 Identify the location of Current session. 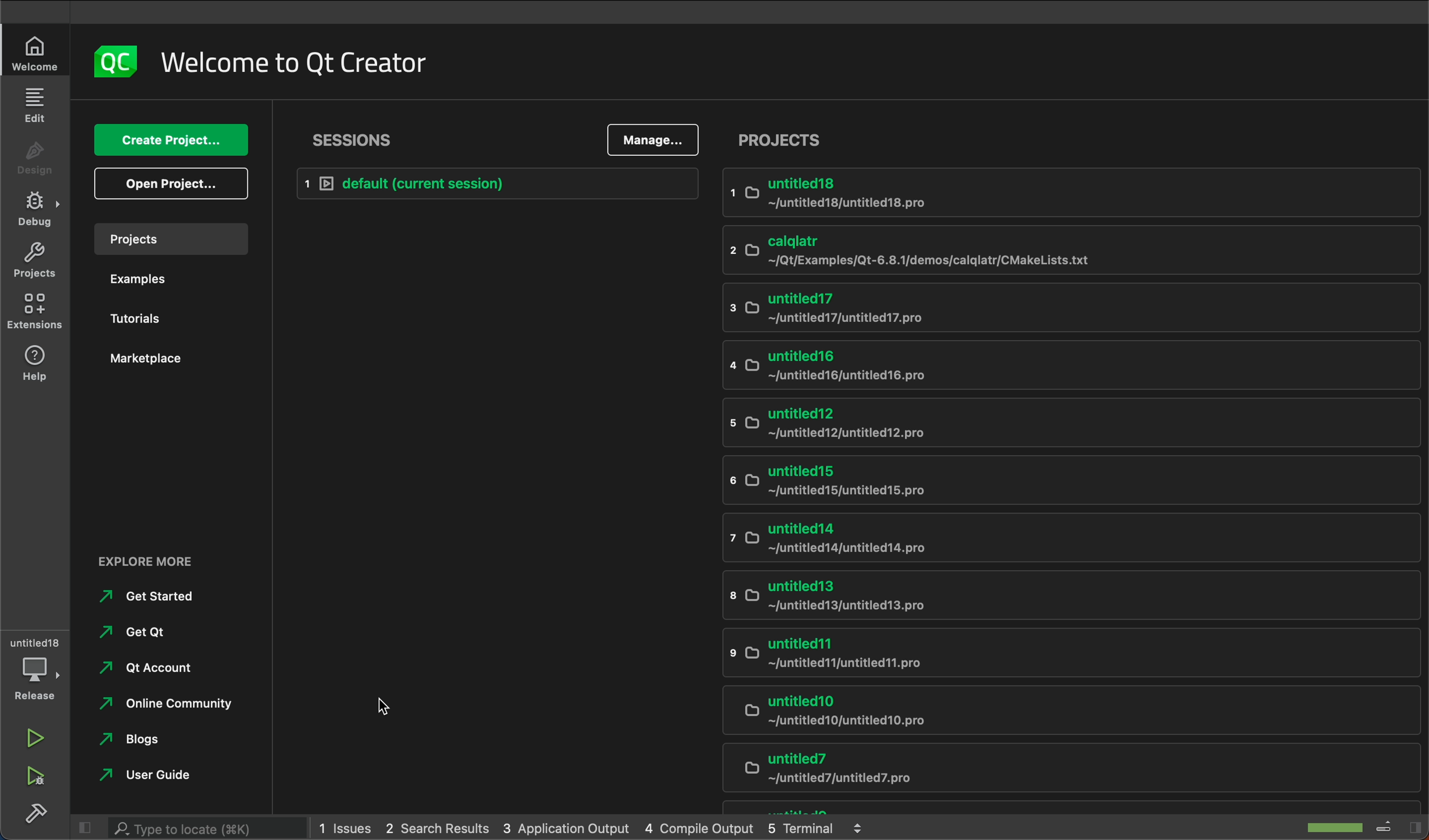
(501, 184).